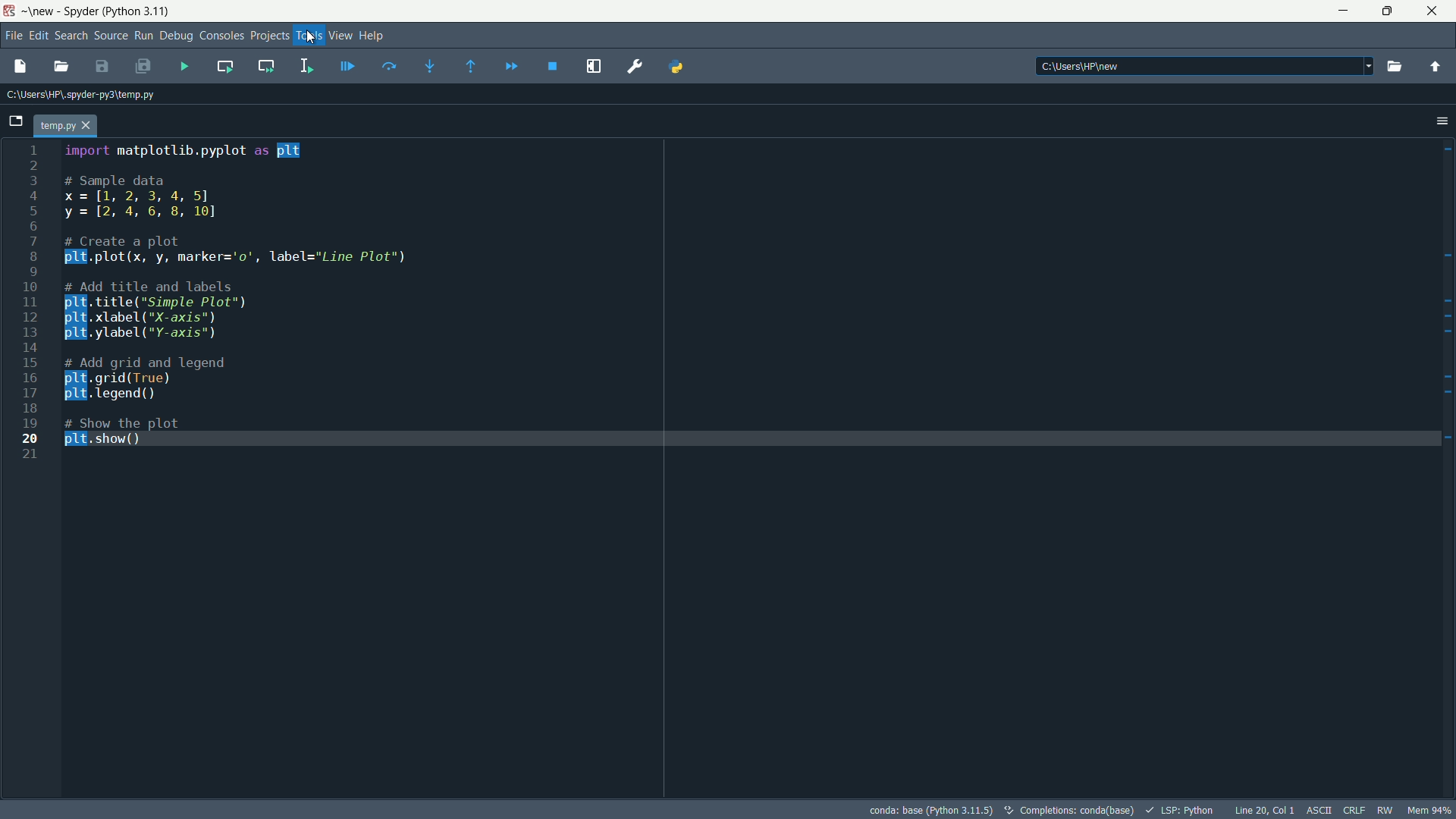  What do you see at coordinates (1354, 810) in the screenshot?
I see `file eol status` at bounding box center [1354, 810].